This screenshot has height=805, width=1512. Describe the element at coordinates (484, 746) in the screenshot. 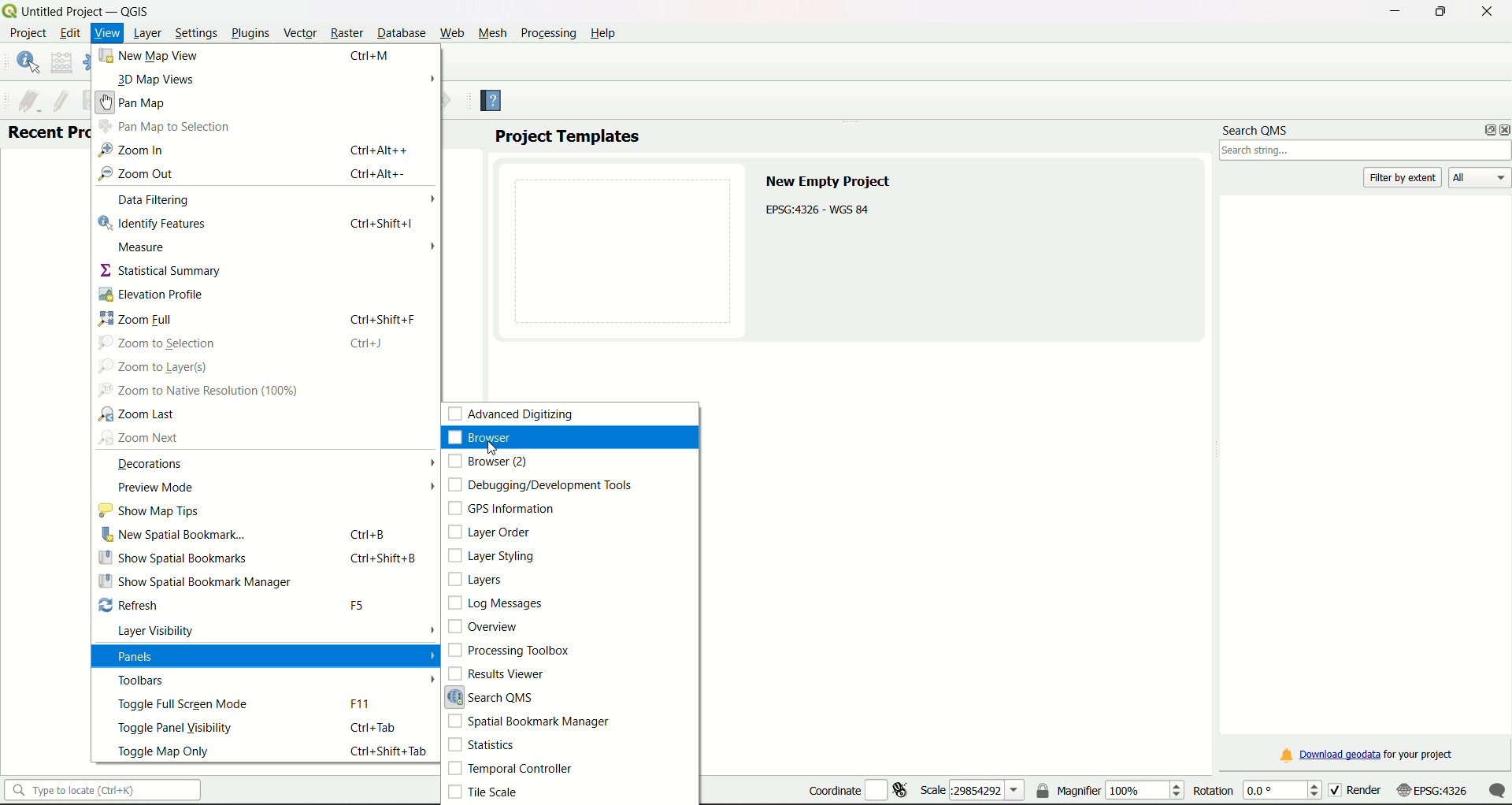

I see `statistics` at that location.